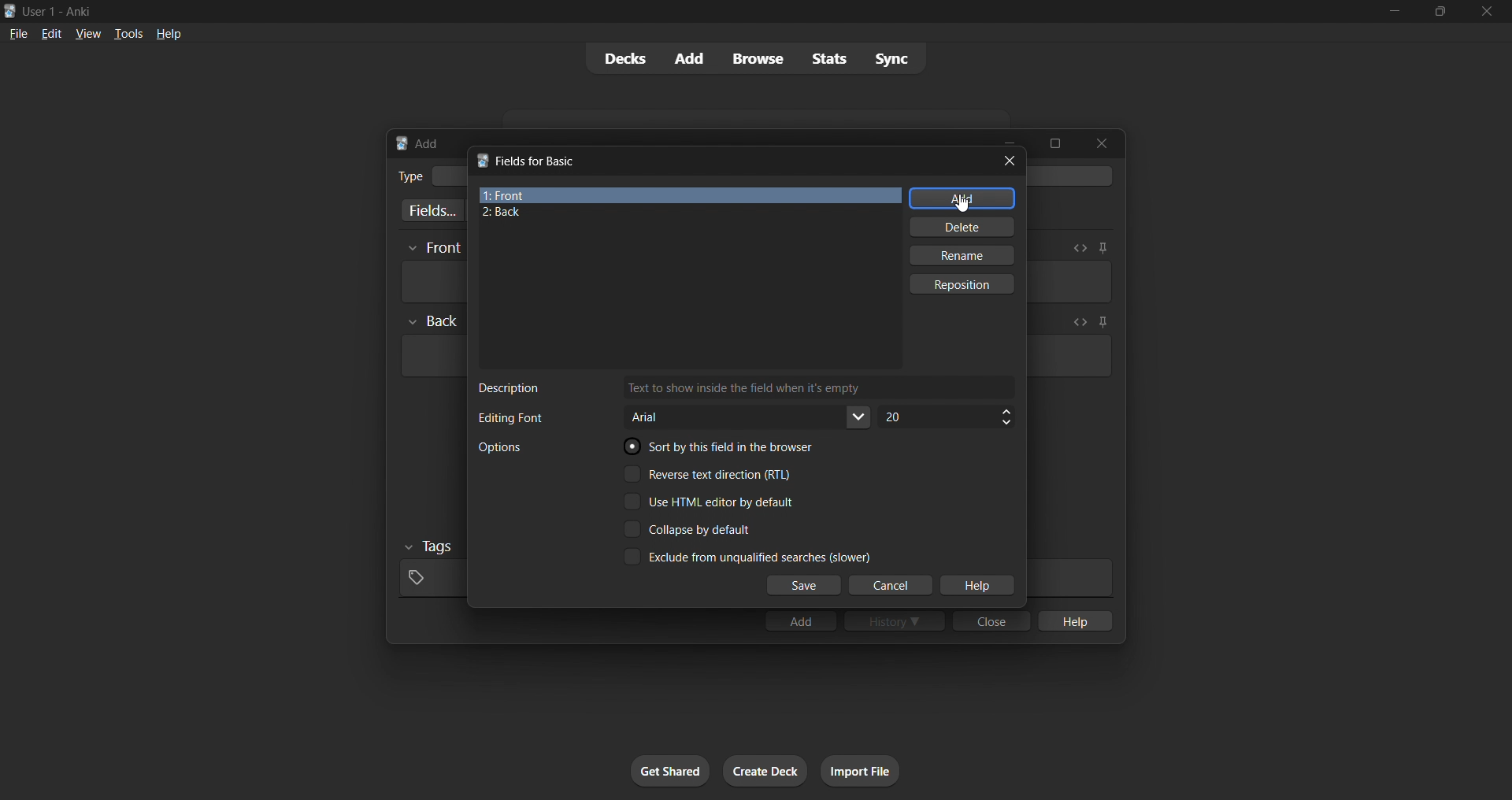 The image size is (1512, 800). Describe the element at coordinates (538, 161) in the screenshot. I see `customize fields title bar` at that location.